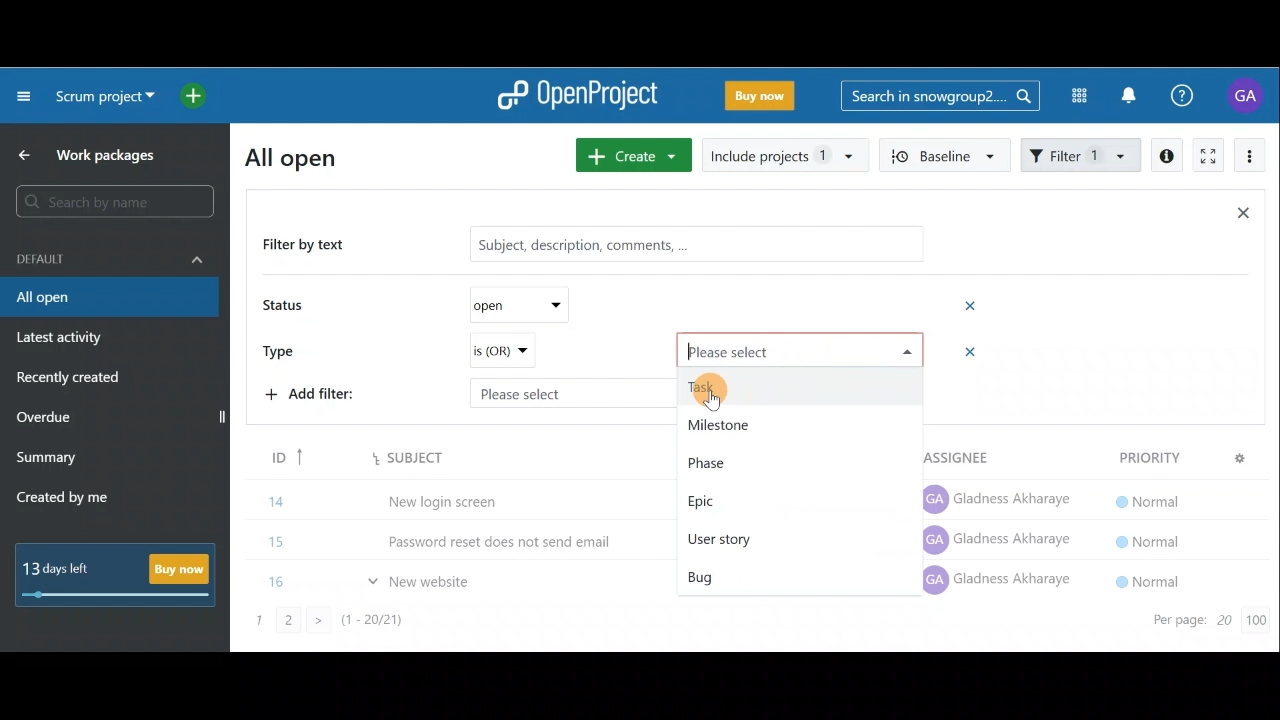 The height and width of the screenshot is (720, 1280). What do you see at coordinates (1131, 93) in the screenshot?
I see `Notification center` at bounding box center [1131, 93].